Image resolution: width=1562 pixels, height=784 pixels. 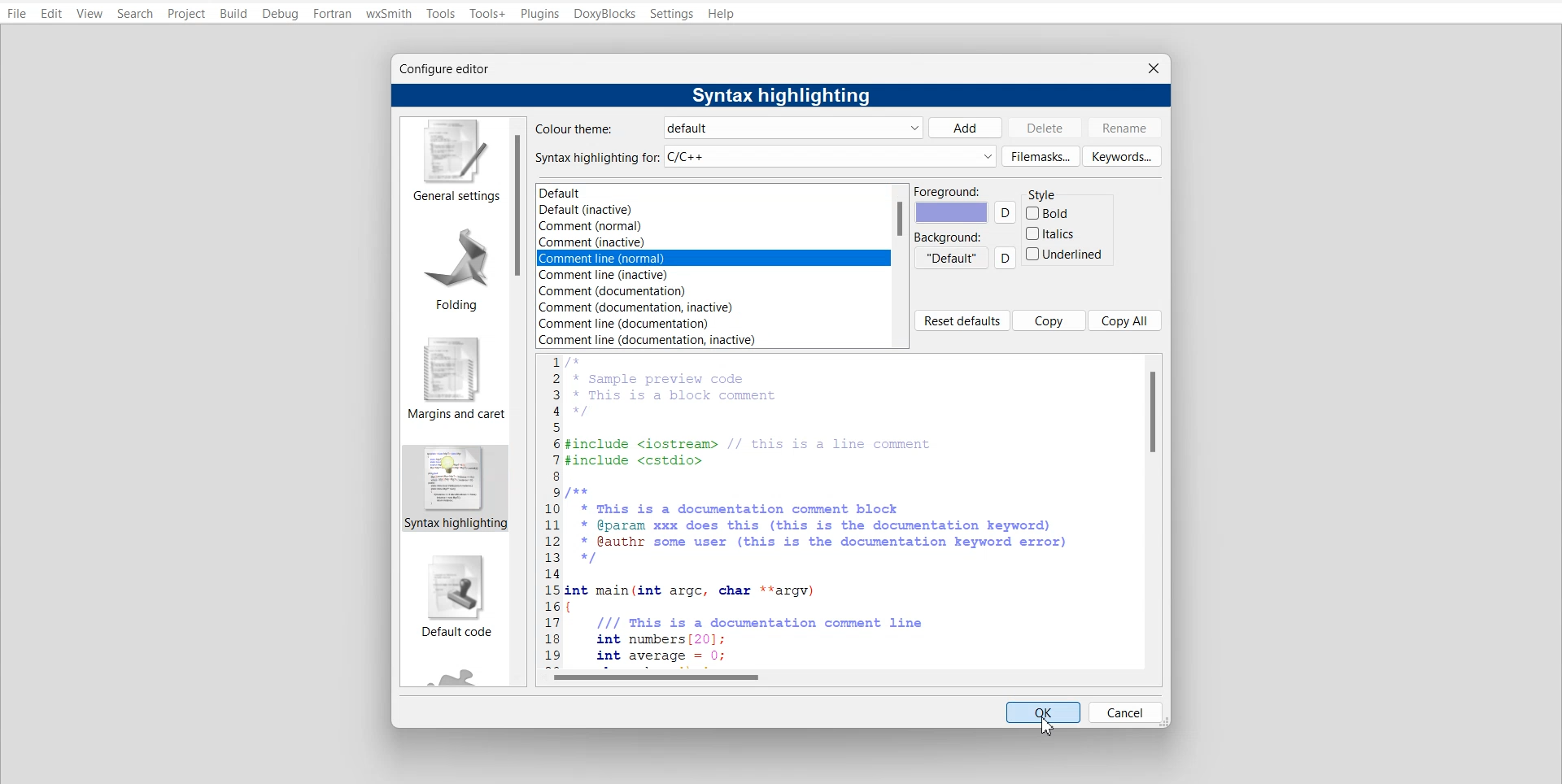 I want to click on Margin and caret, so click(x=456, y=372).